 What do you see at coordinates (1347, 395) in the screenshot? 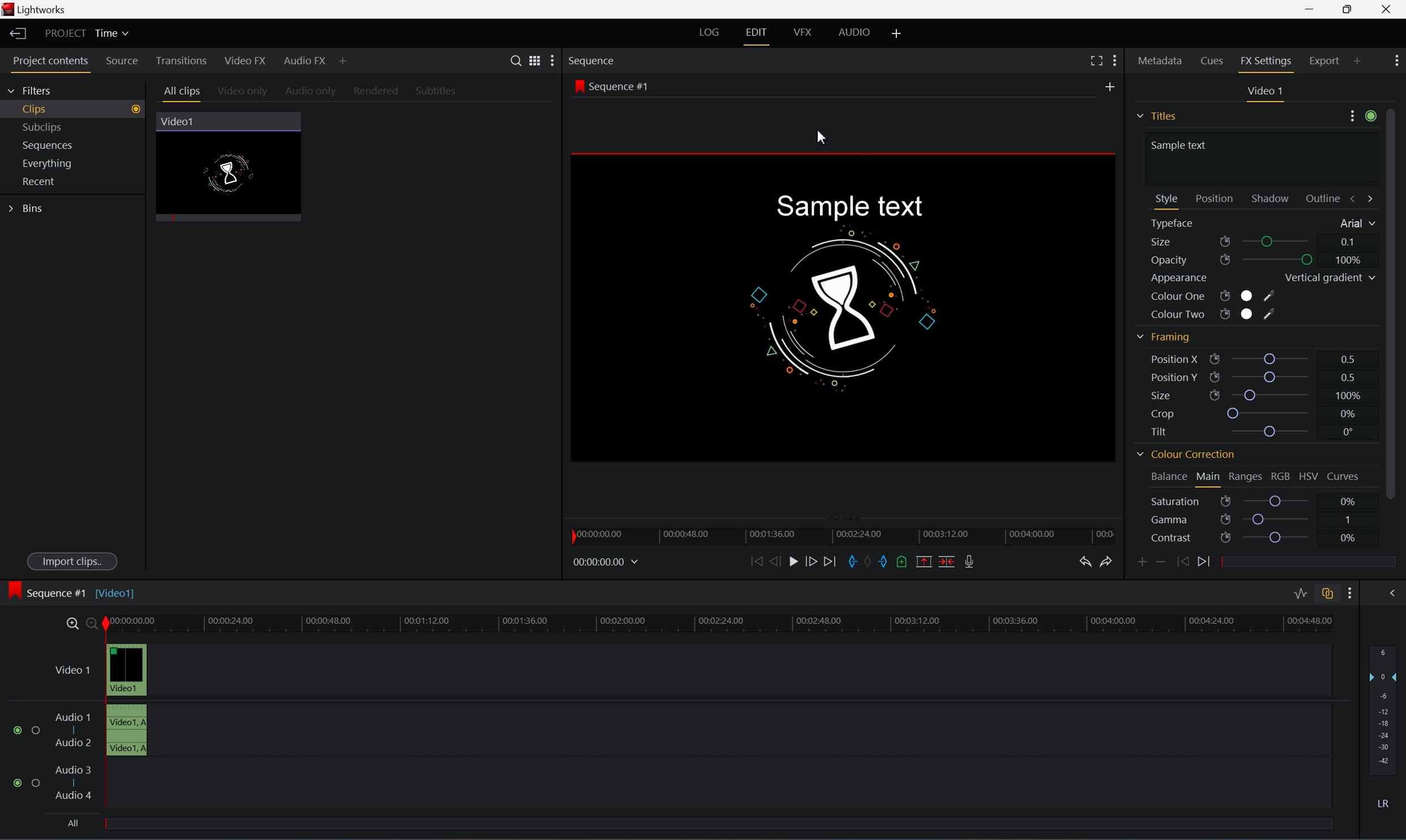
I see `100%` at bounding box center [1347, 395].